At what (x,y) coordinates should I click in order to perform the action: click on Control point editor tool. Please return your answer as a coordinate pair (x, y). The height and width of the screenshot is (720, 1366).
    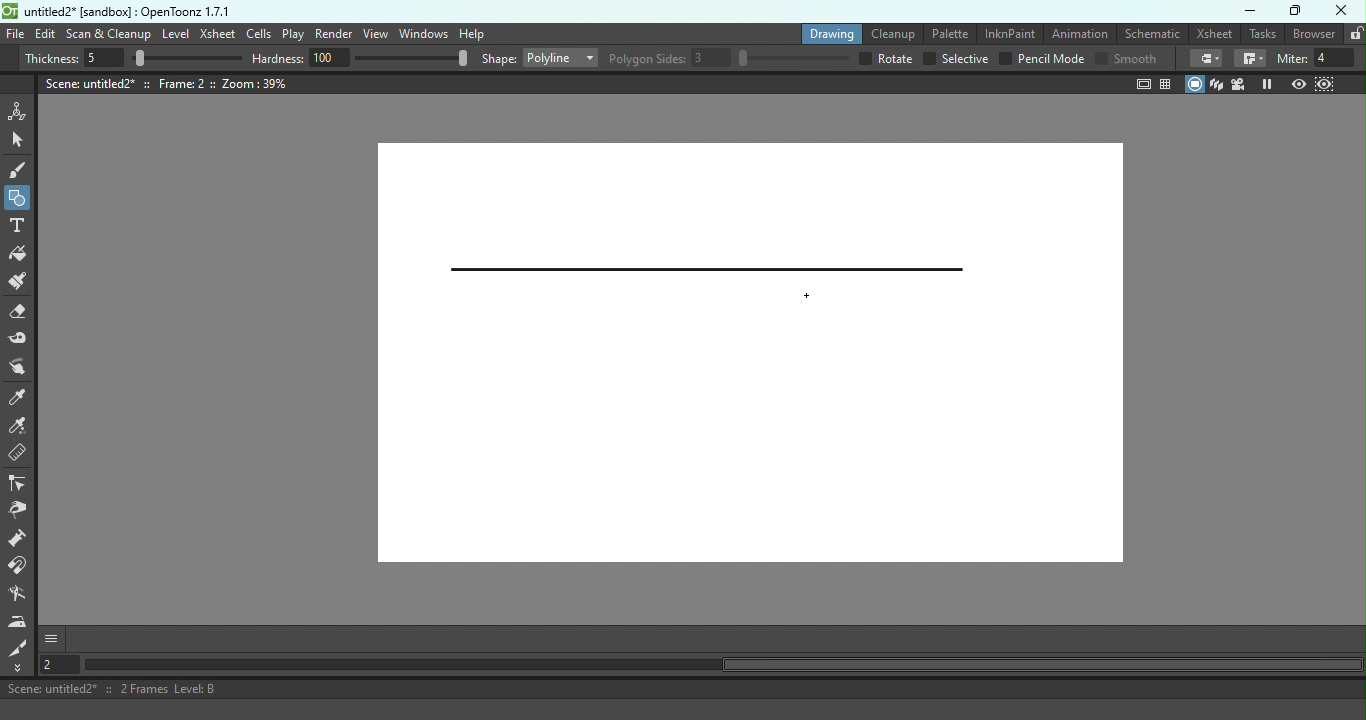
    Looking at the image, I should click on (20, 484).